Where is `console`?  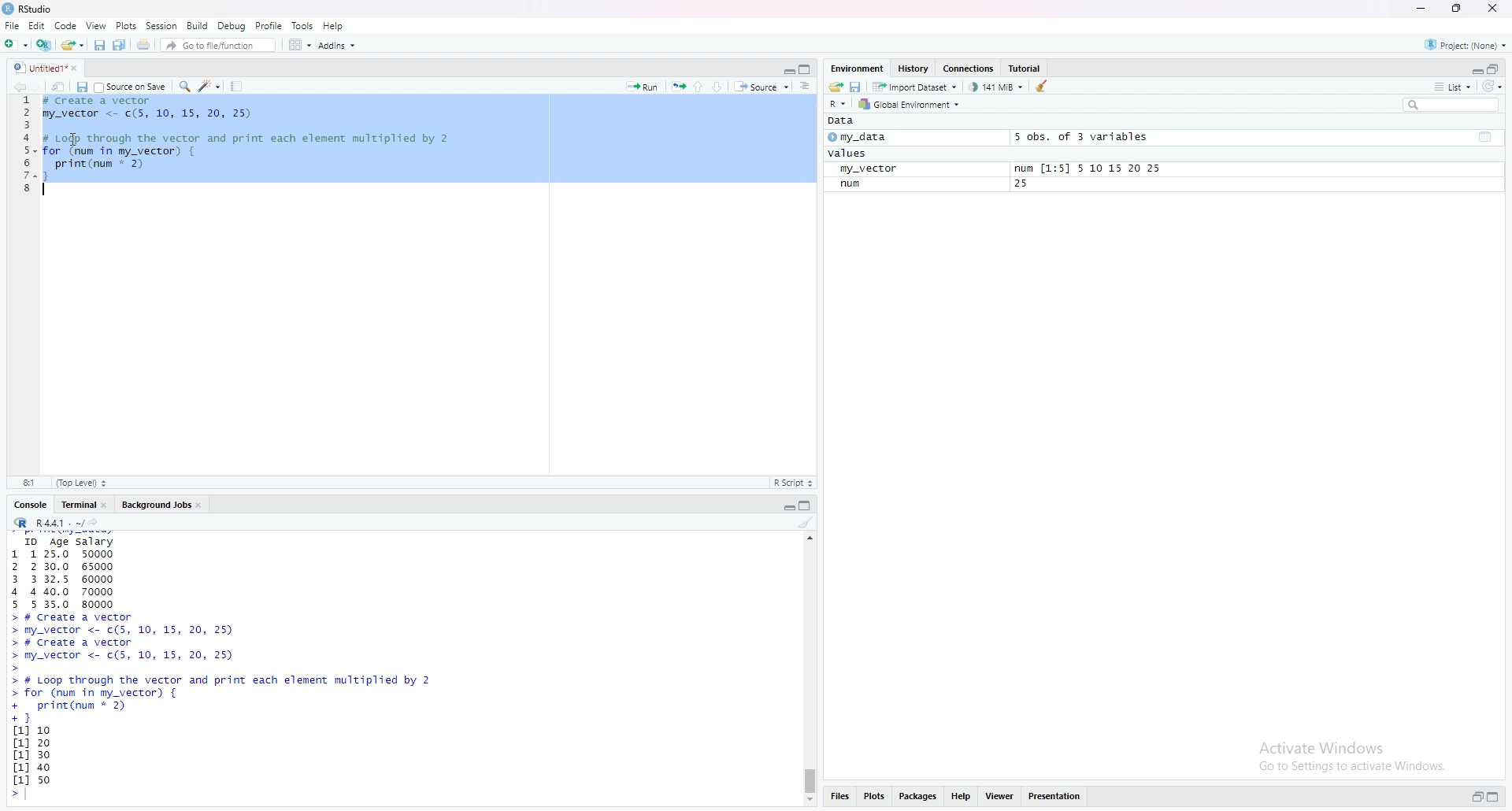
console is located at coordinates (31, 505).